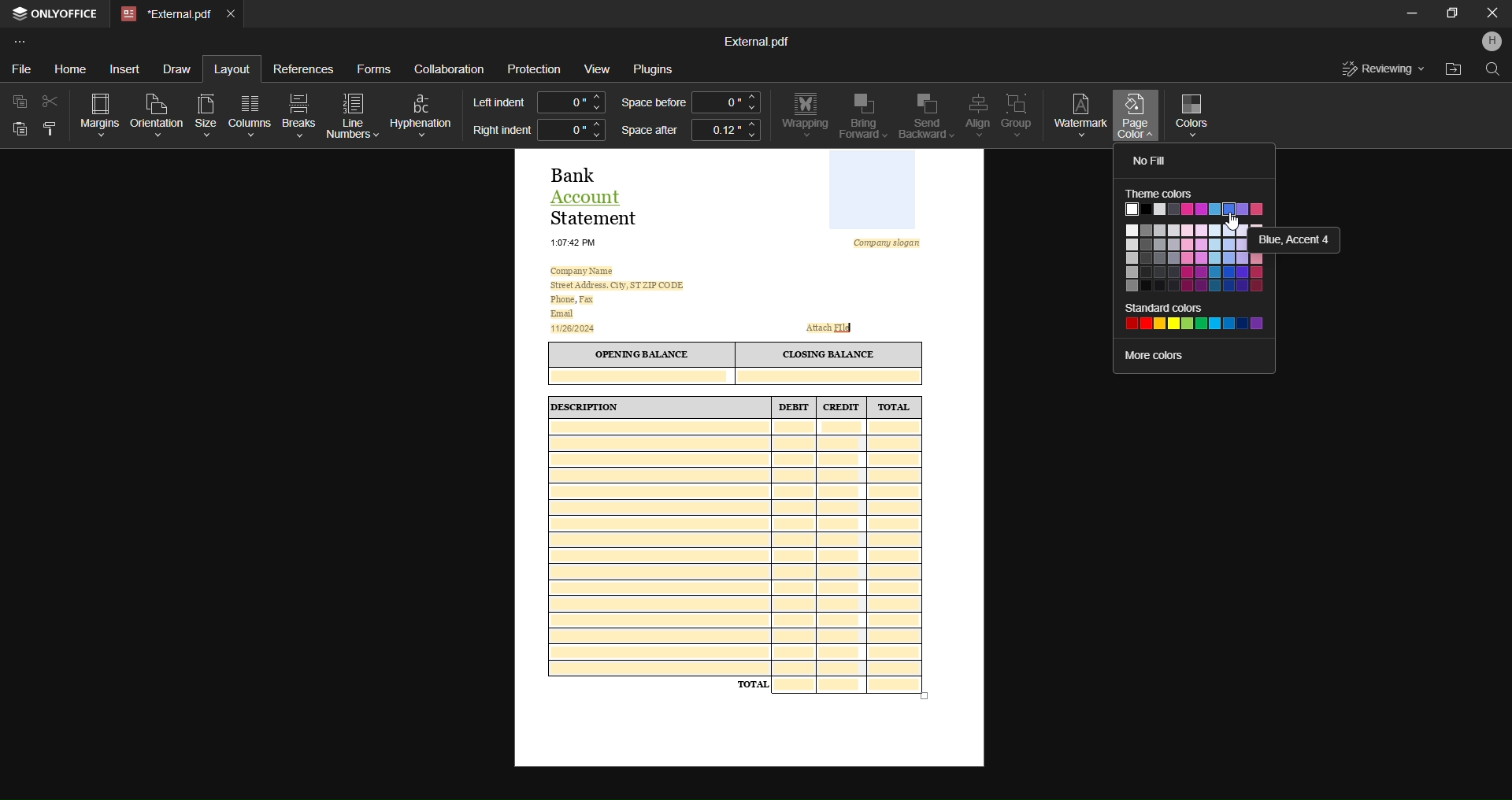  What do you see at coordinates (1184, 257) in the screenshot?
I see `Other Color Options` at bounding box center [1184, 257].